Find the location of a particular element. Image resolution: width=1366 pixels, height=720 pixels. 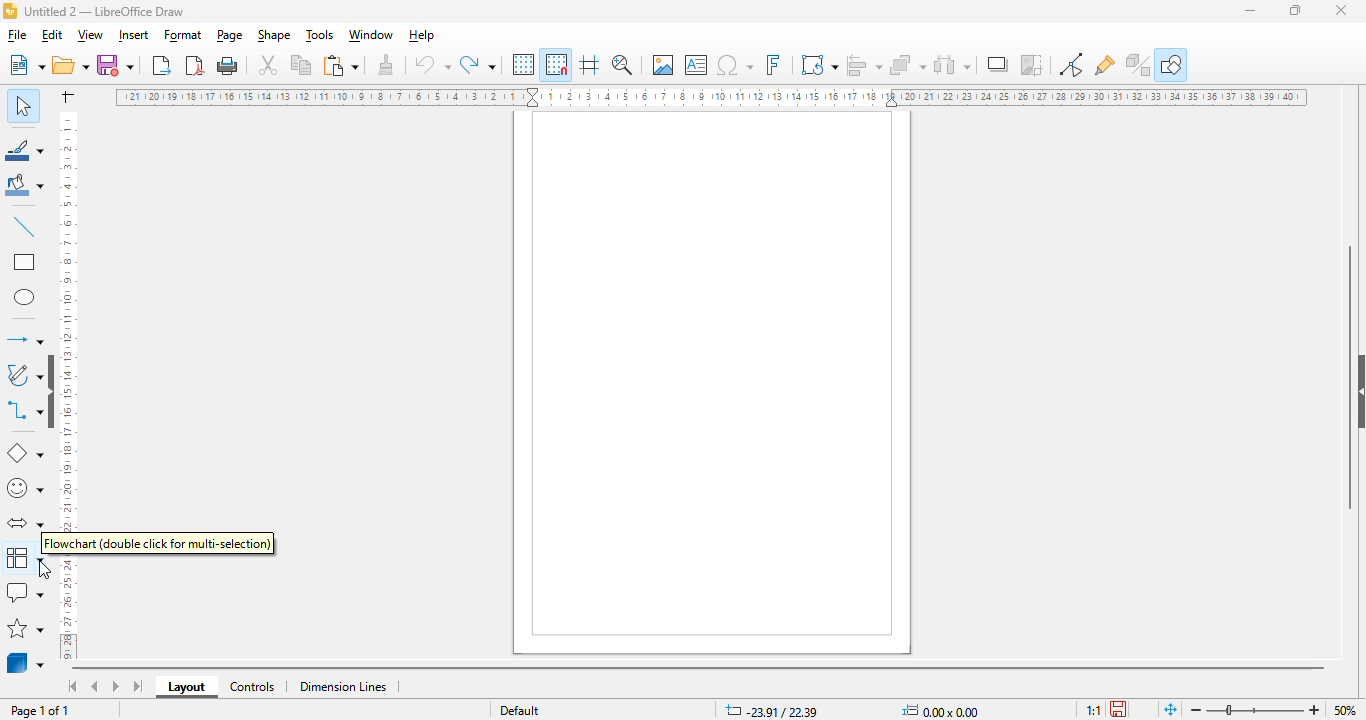

toggle extrusion is located at coordinates (1138, 64).